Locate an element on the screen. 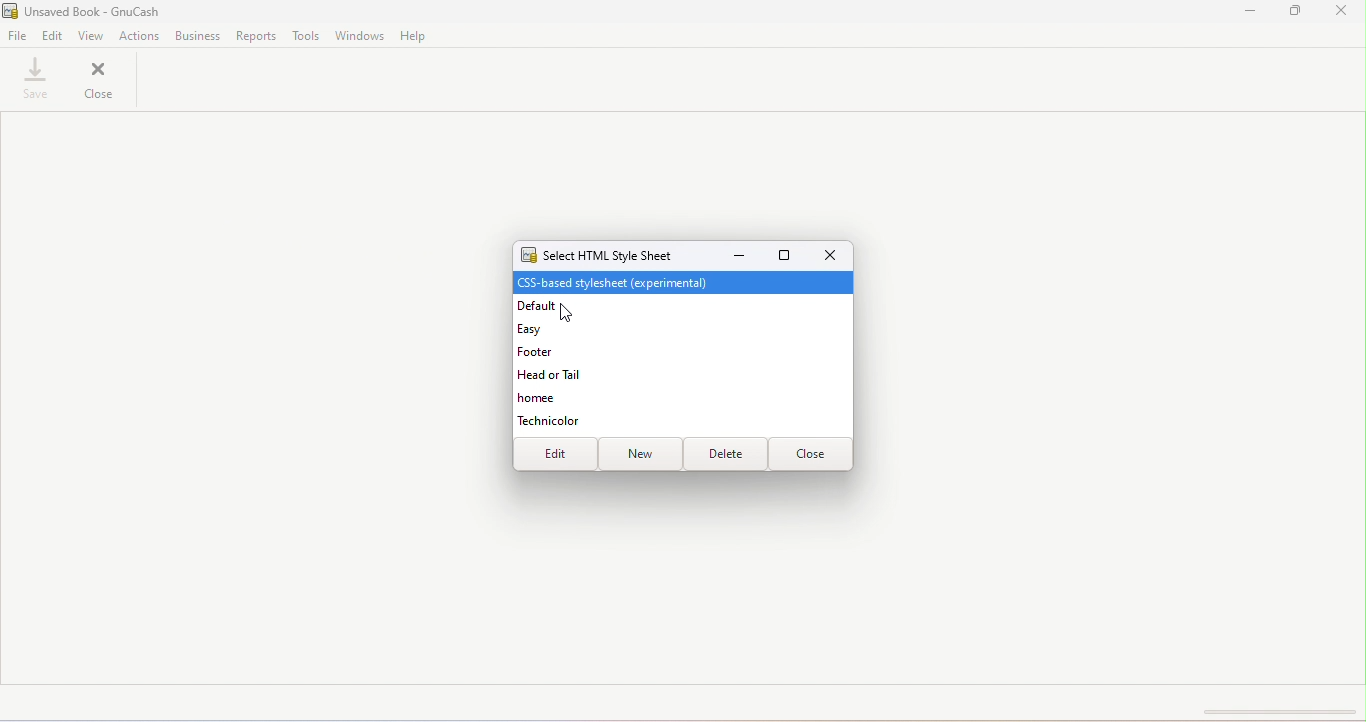 Image resolution: width=1366 pixels, height=722 pixels. Footer is located at coordinates (543, 352).